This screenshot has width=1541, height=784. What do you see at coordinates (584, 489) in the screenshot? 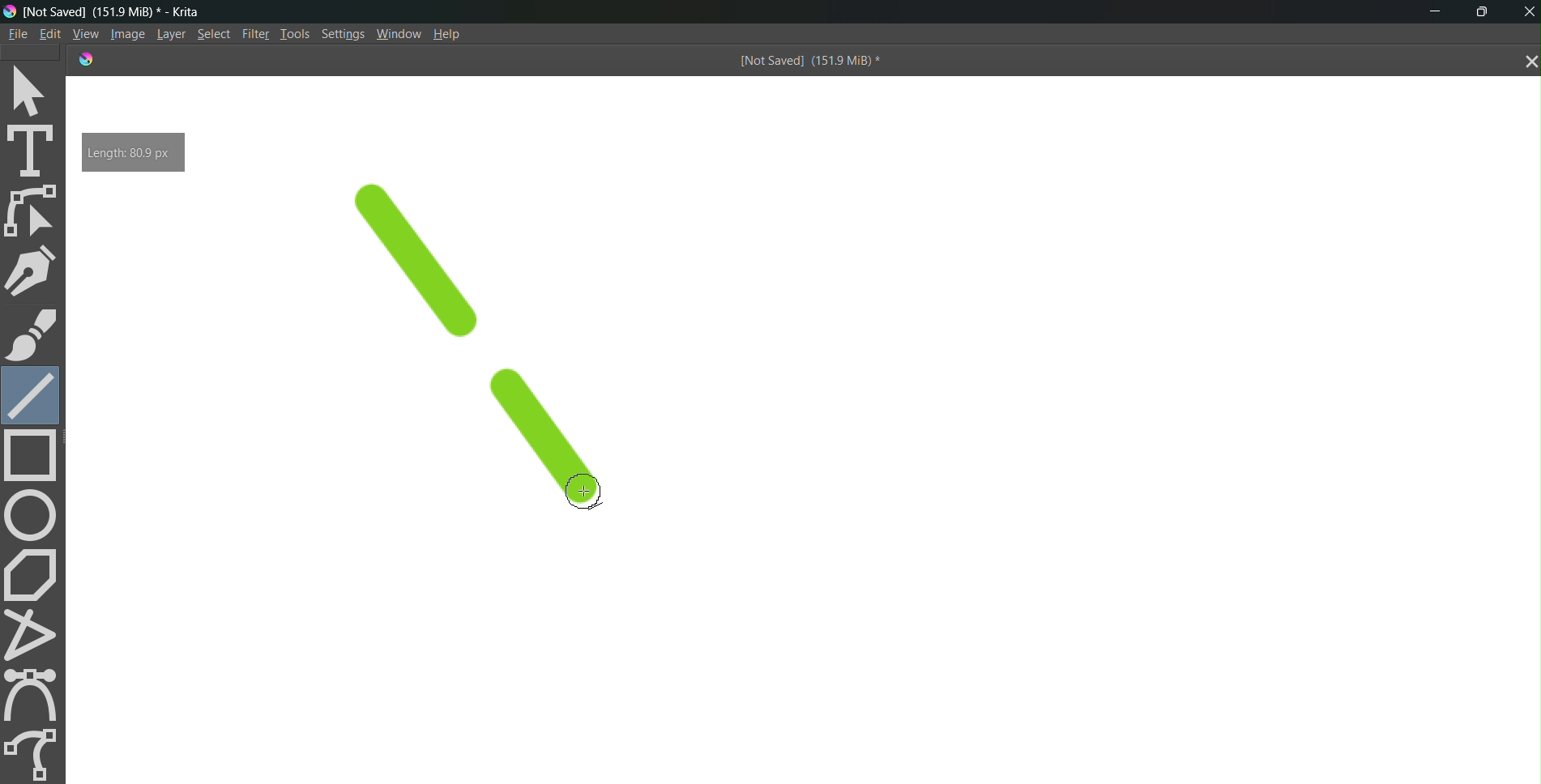
I see `cursor` at bounding box center [584, 489].